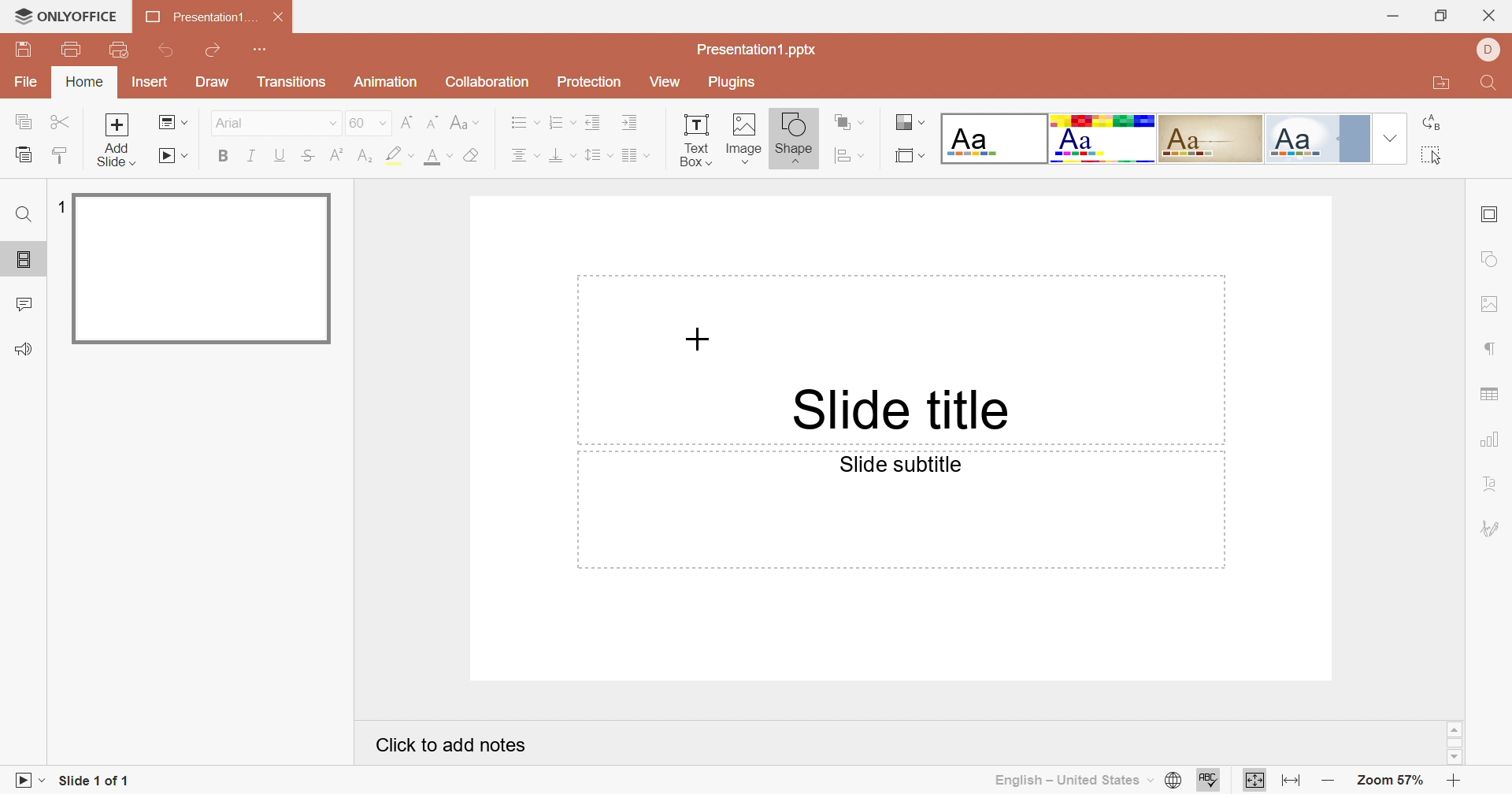 The height and width of the screenshot is (794, 1512). I want to click on Decrease indent, so click(594, 122).